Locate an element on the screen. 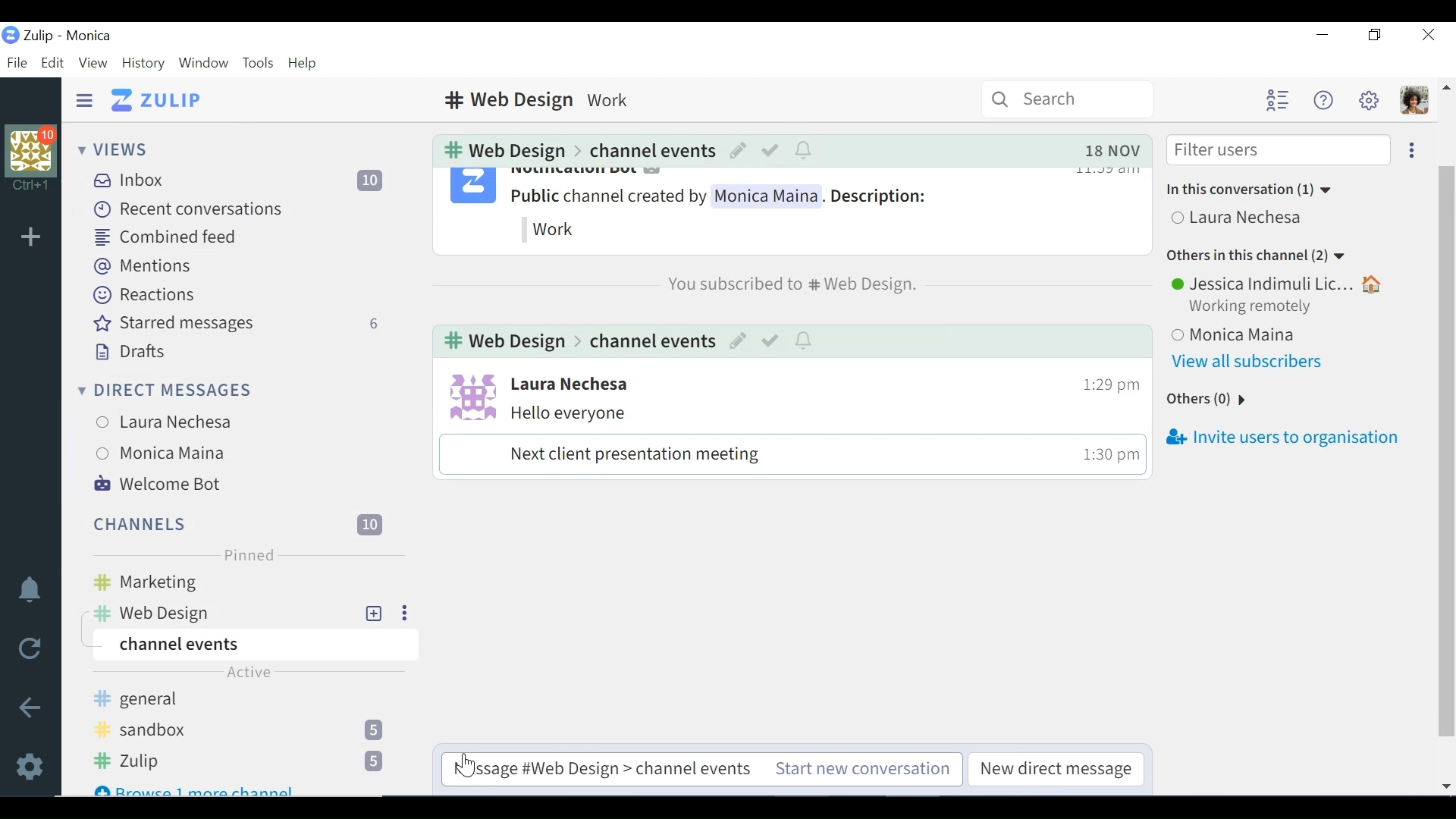 The image size is (1456, 819). Go to Home View (inbox) is located at coordinates (158, 101).